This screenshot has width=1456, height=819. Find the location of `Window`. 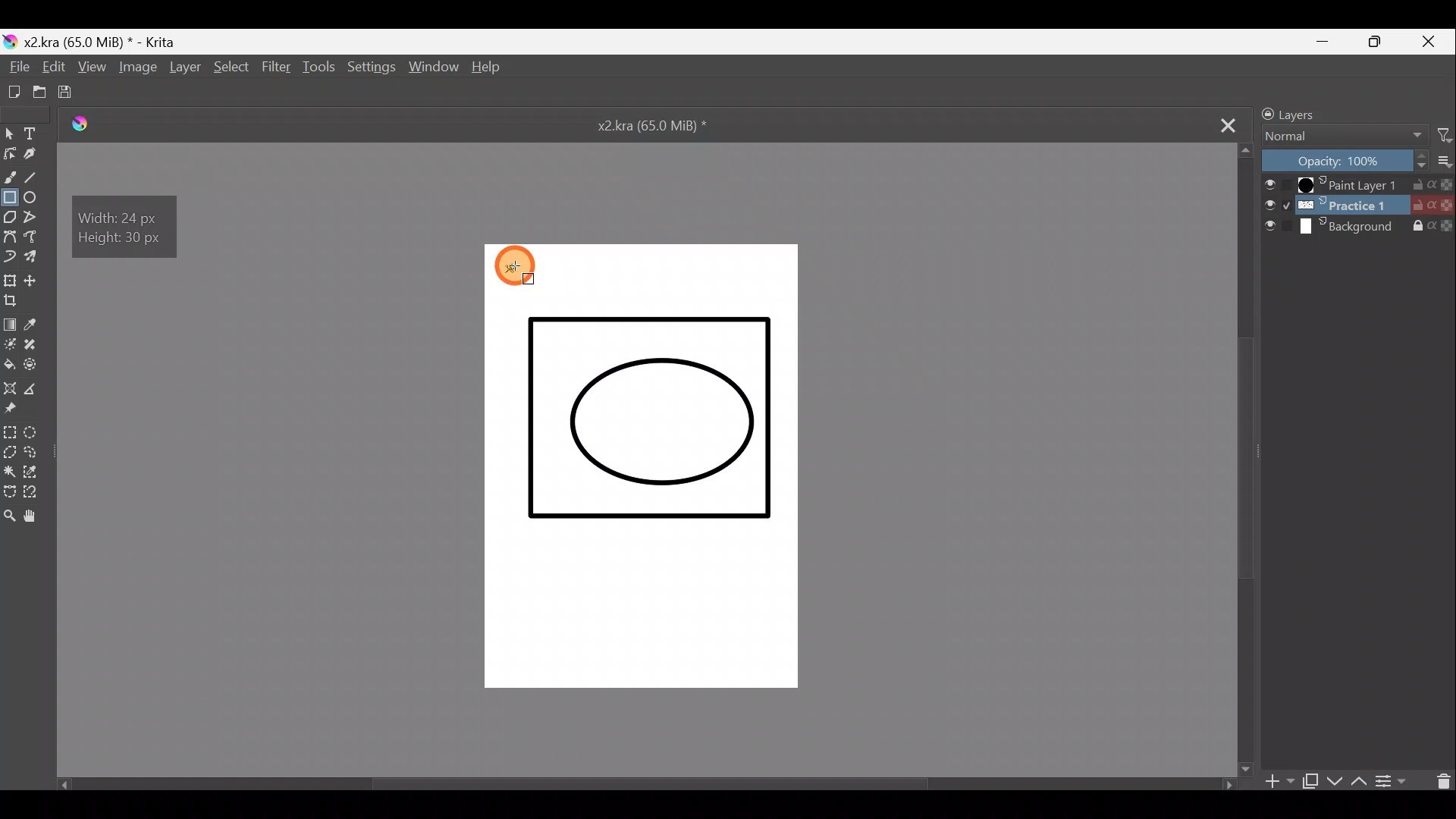

Window is located at coordinates (431, 71).